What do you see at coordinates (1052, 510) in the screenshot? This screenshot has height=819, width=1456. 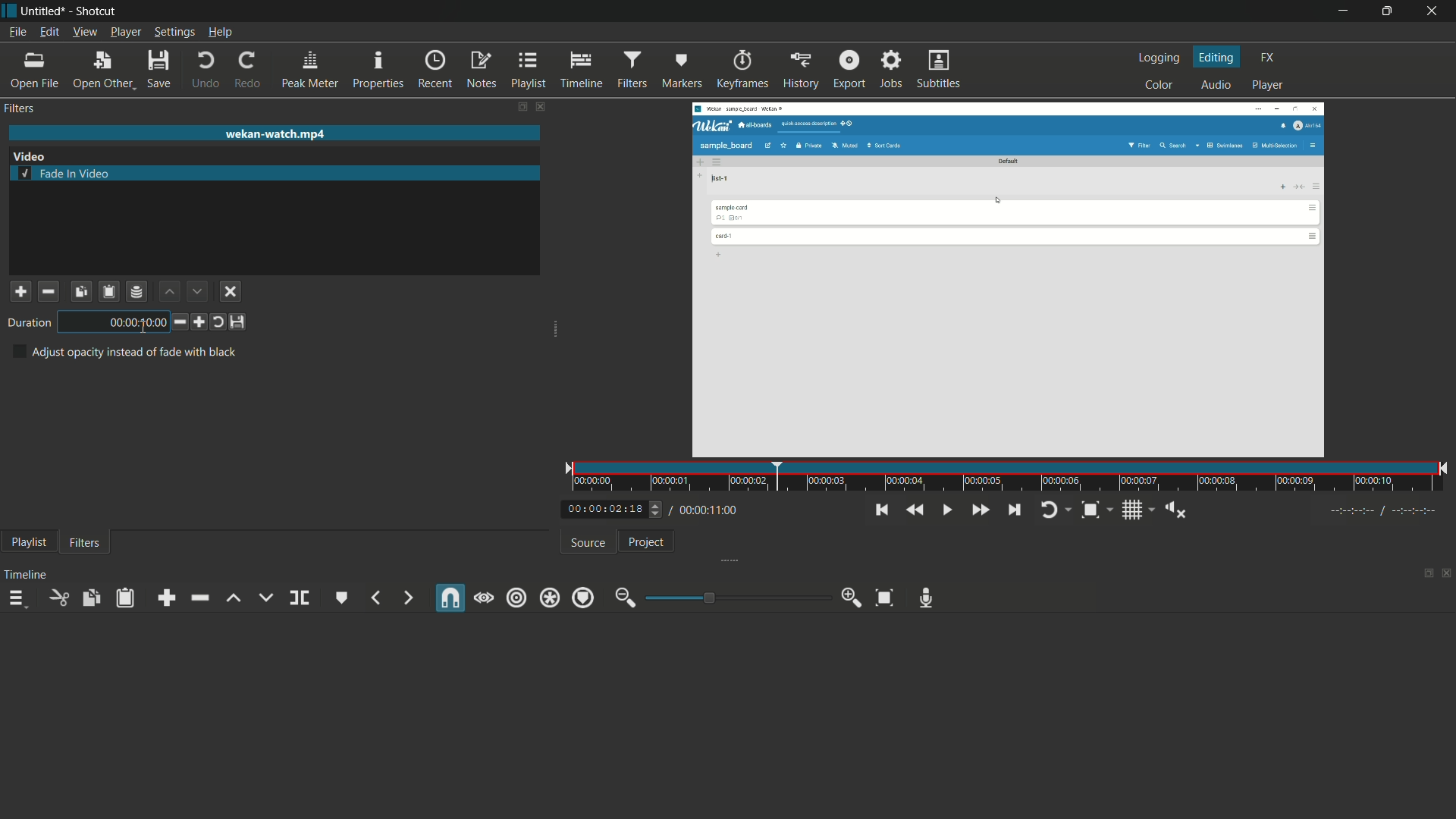 I see `toggle player logging` at bounding box center [1052, 510].